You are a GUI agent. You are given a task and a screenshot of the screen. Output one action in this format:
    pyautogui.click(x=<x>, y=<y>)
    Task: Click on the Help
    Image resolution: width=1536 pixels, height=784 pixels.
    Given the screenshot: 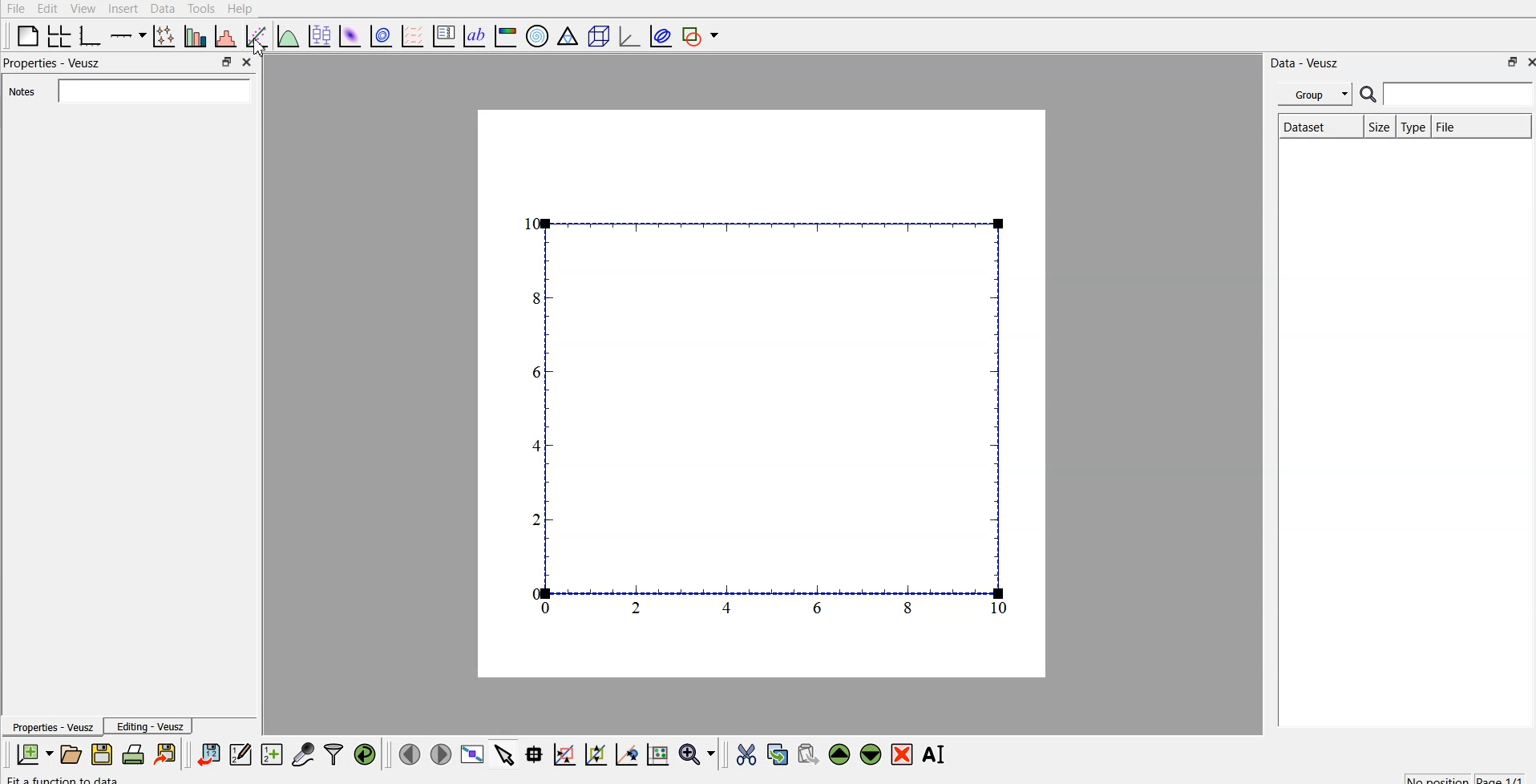 What is the action you would take?
    pyautogui.click(x=241, y=7)
    